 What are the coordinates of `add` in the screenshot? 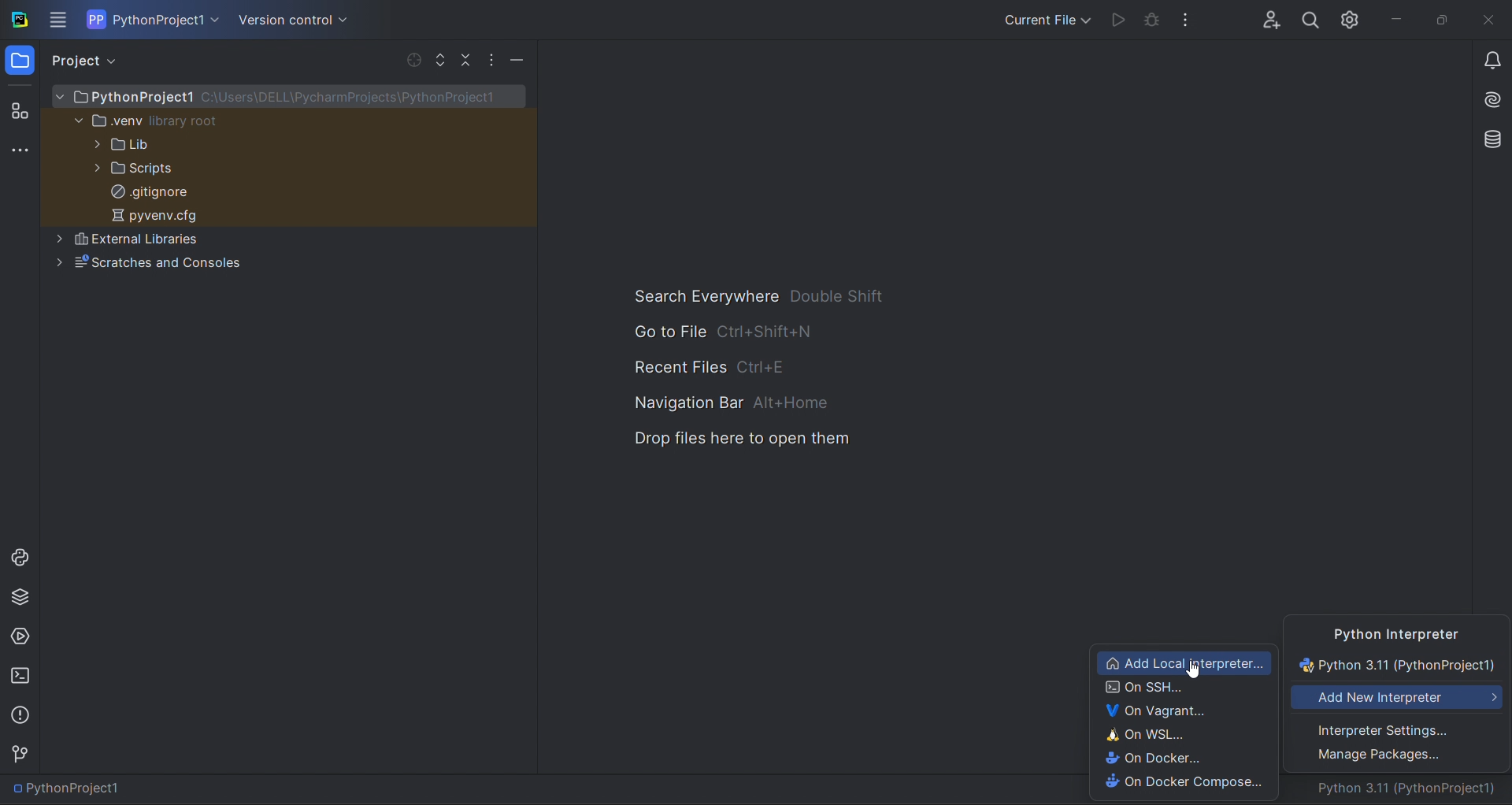 It's located at (1399, 699).